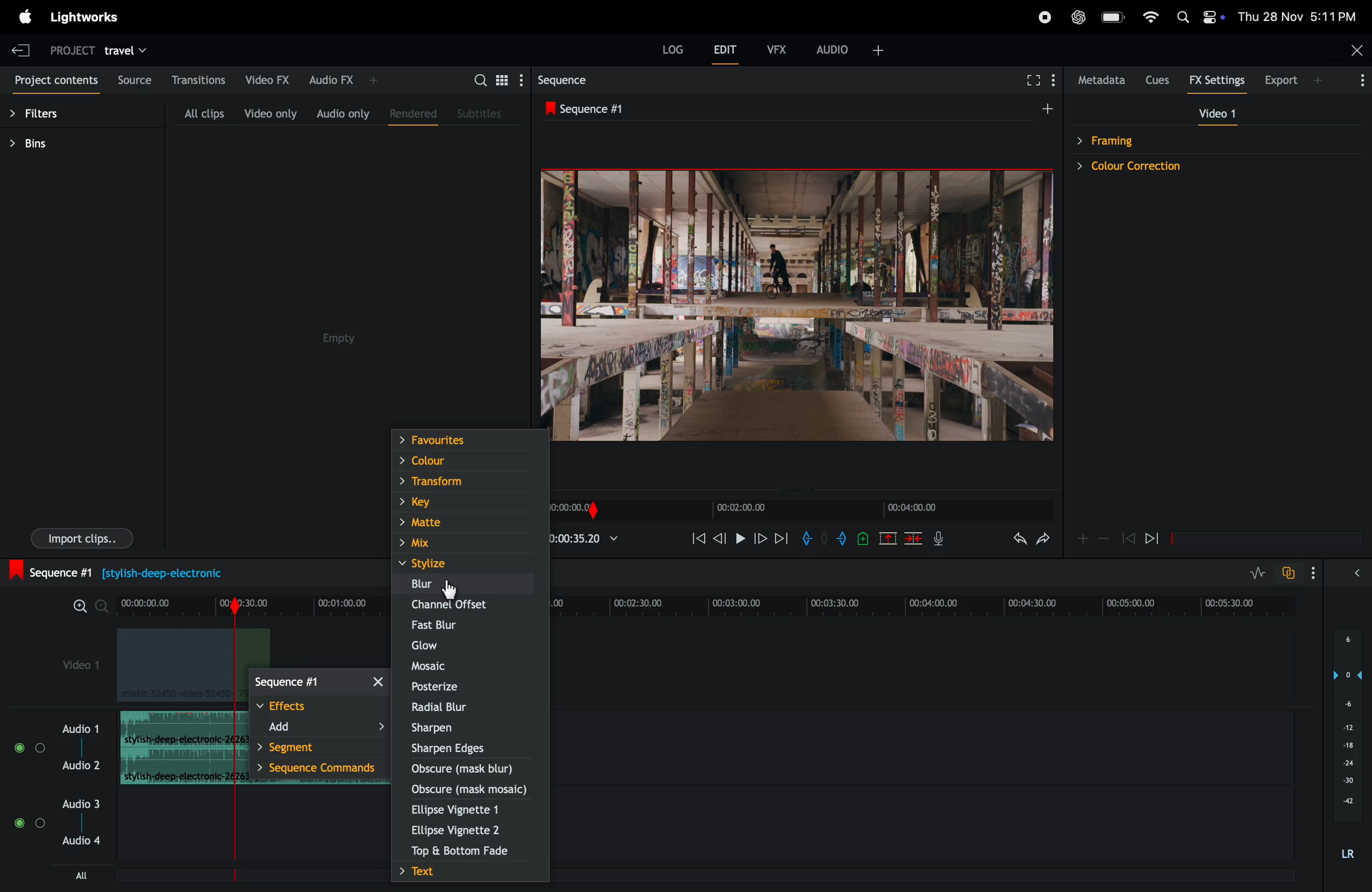 The height and width of the screenshot is (892, 1372). Describe the element at coordinates (914, 541) in the screenshot. I see `delete ` at that location.